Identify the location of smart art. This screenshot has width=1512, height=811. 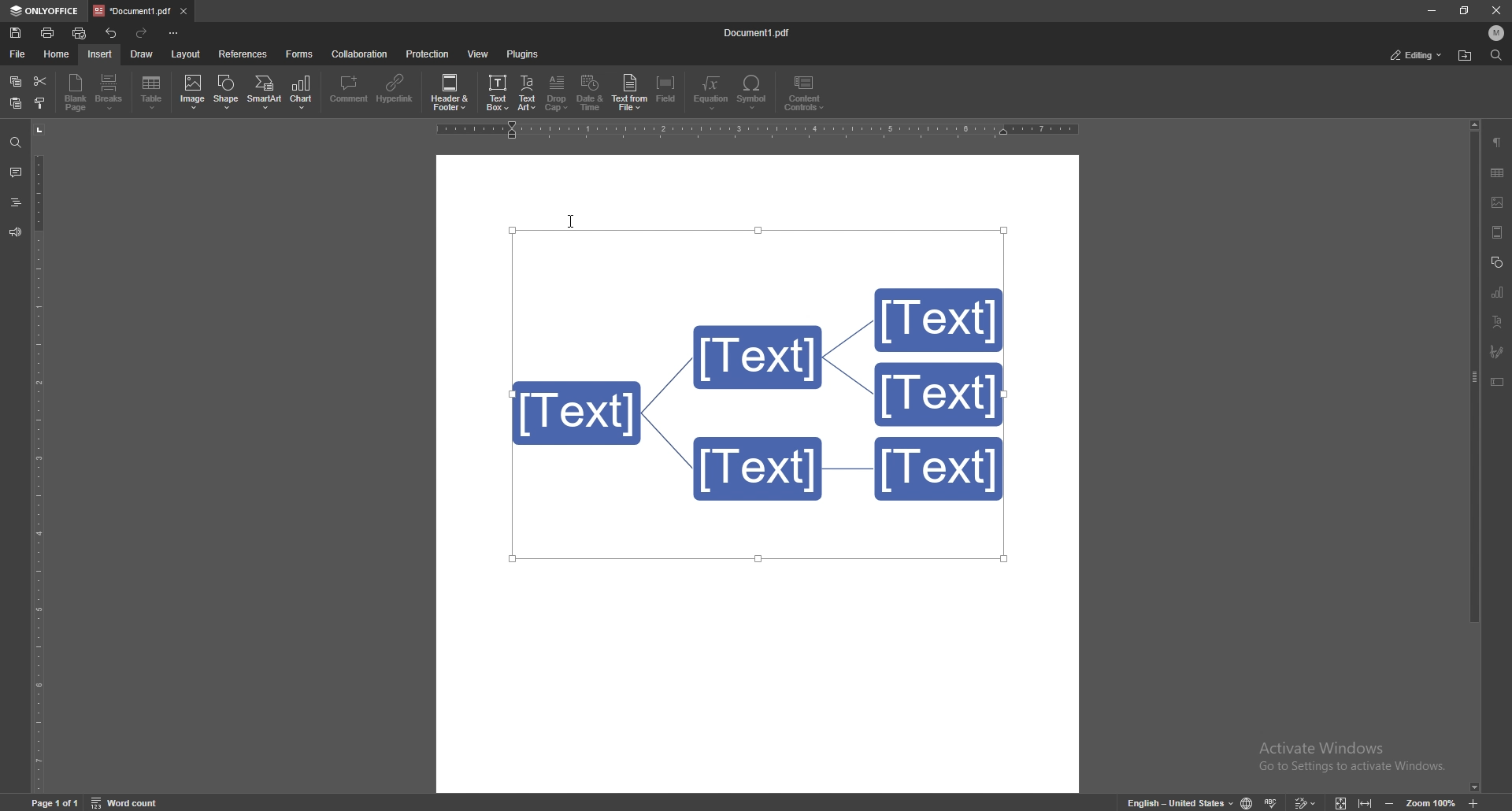
(264, 91).